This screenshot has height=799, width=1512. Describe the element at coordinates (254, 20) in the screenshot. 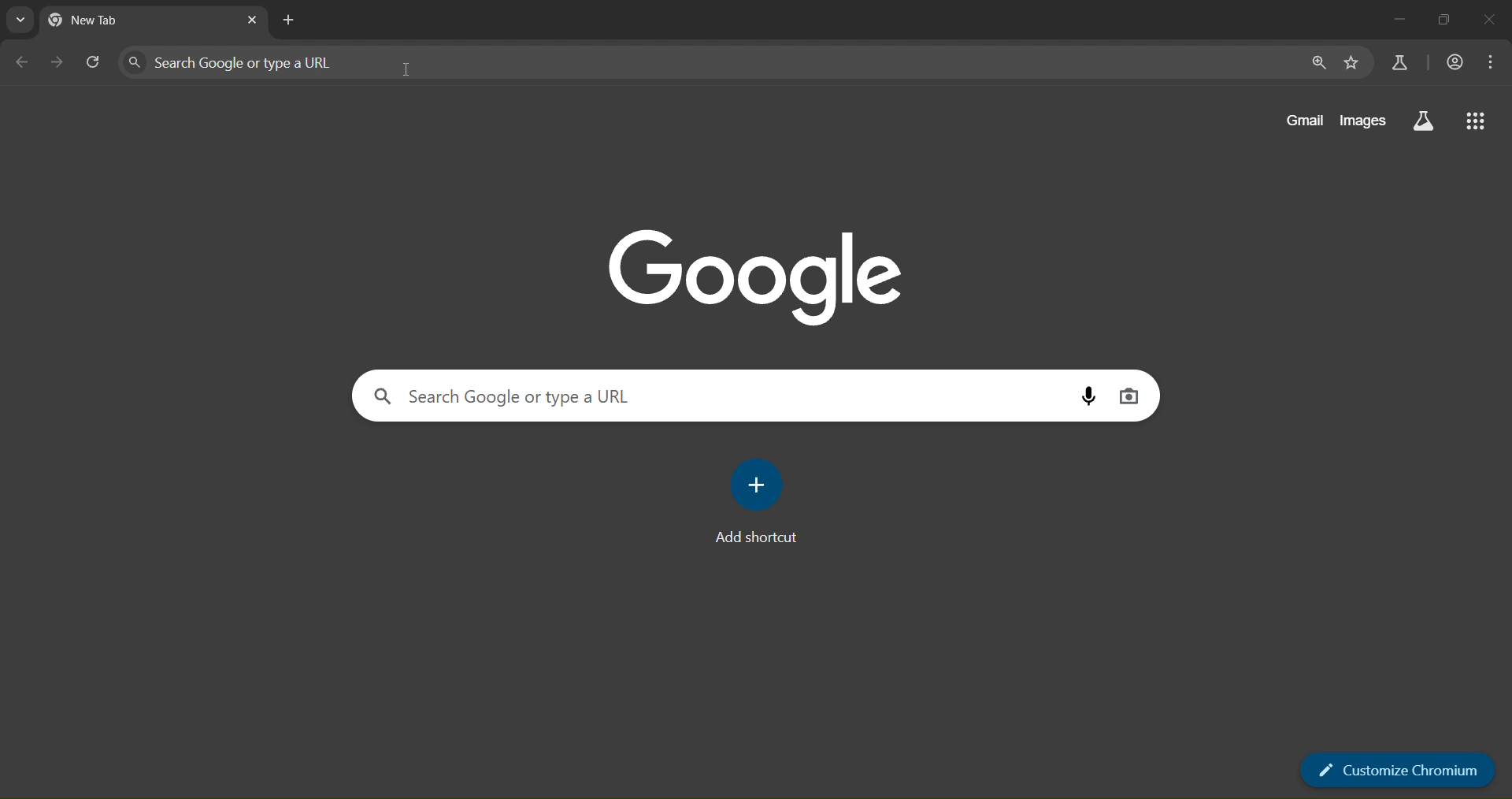

I see `close tab` at that location.